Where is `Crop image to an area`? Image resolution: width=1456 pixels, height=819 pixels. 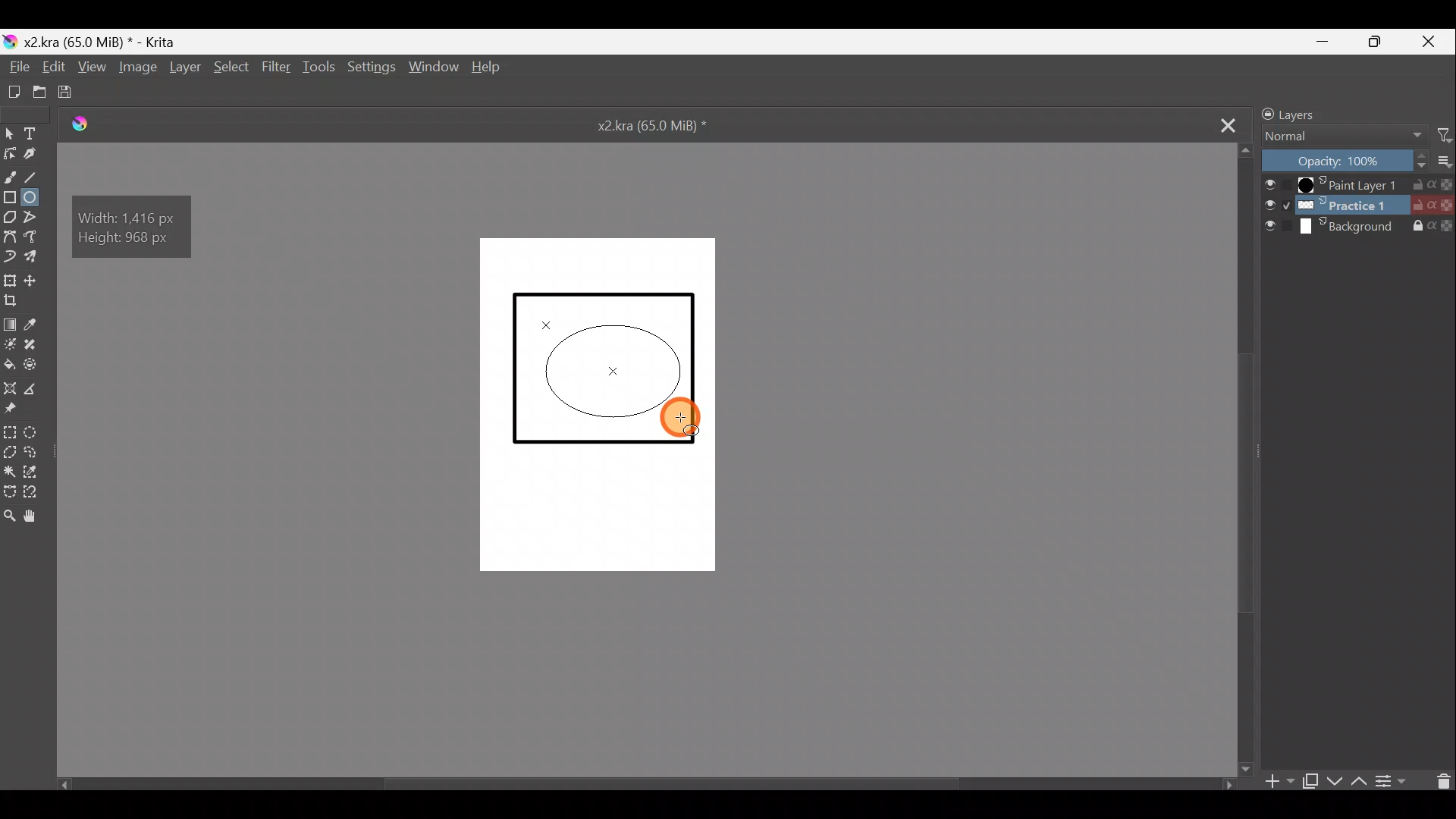
Crop image to an area is located at coordinates (17, 303).